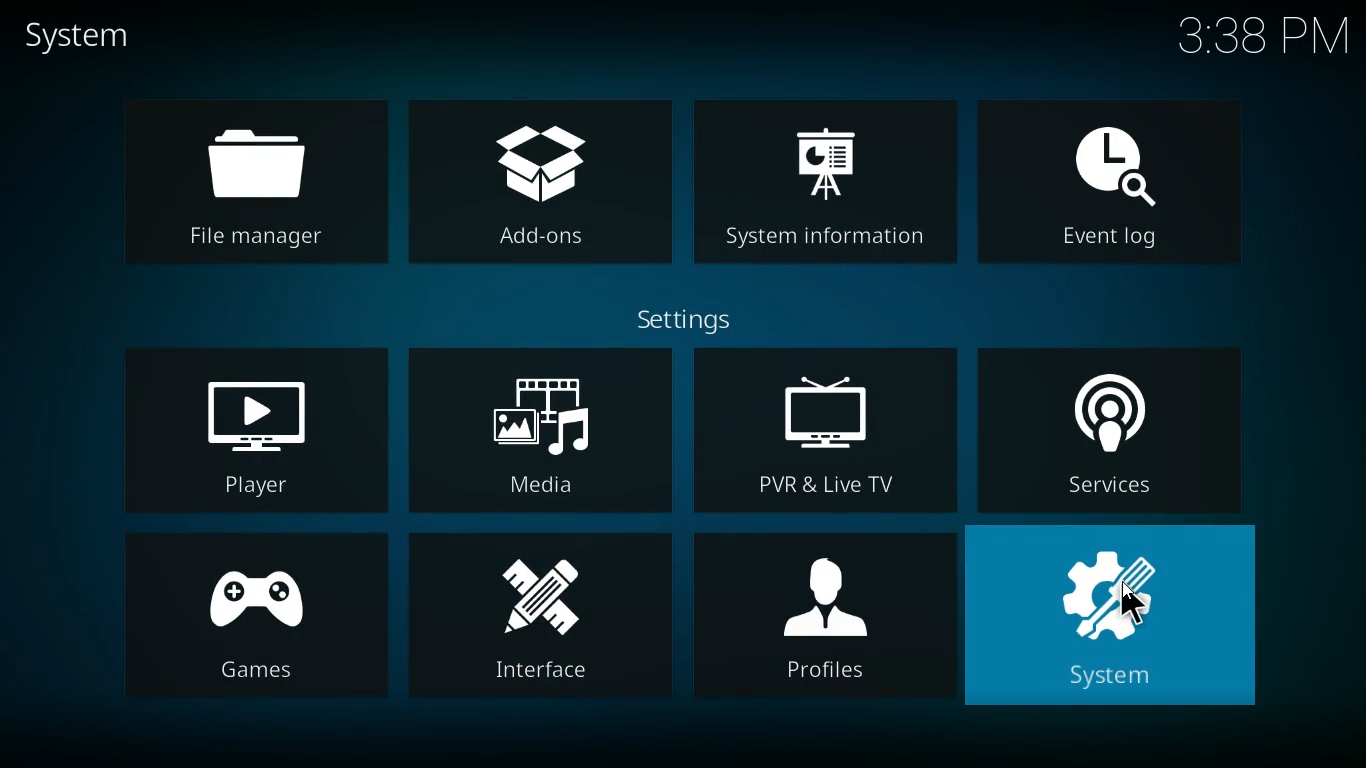 The height and width of the screenshot is (768, 1366). Describe the element at coordinates (686, 317) in the screenshot. I see `settings` at that location.